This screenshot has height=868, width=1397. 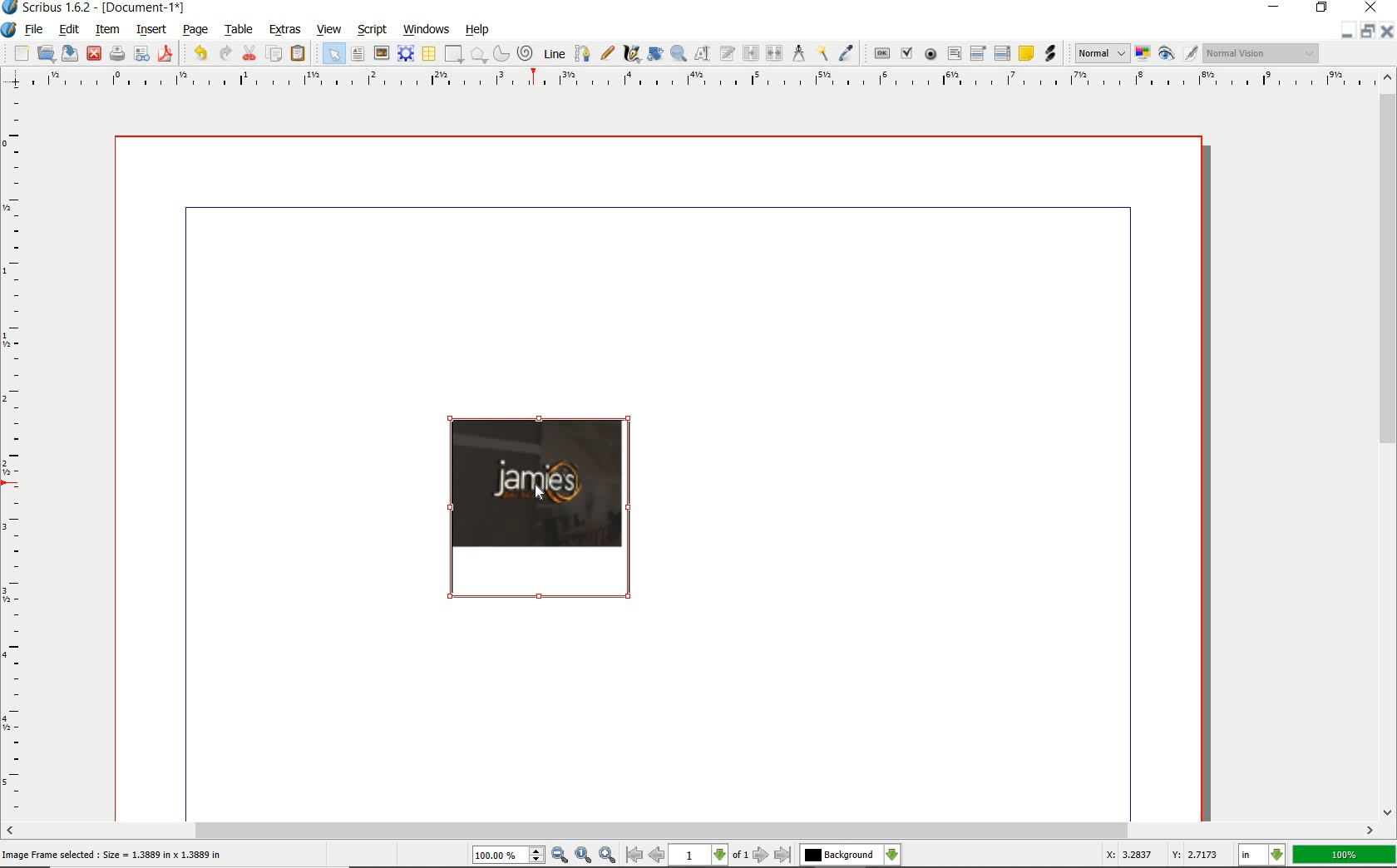 I want to click on ruler, so click(x=687, y=81).